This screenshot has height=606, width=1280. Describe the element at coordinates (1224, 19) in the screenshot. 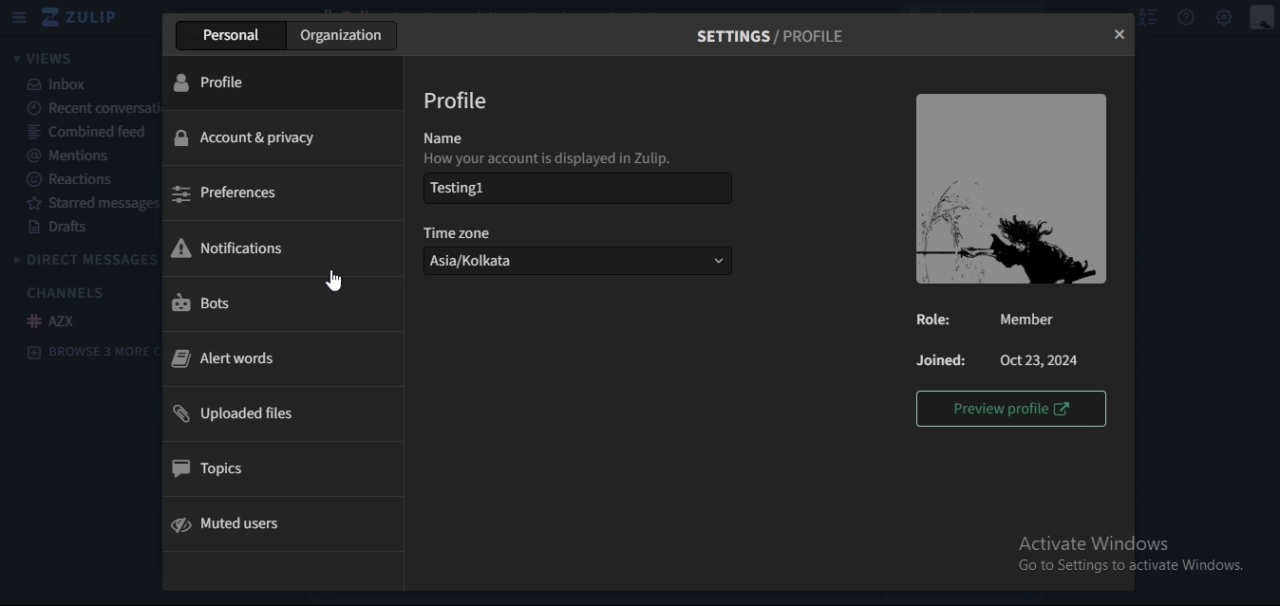

I see `main menu` at that location.